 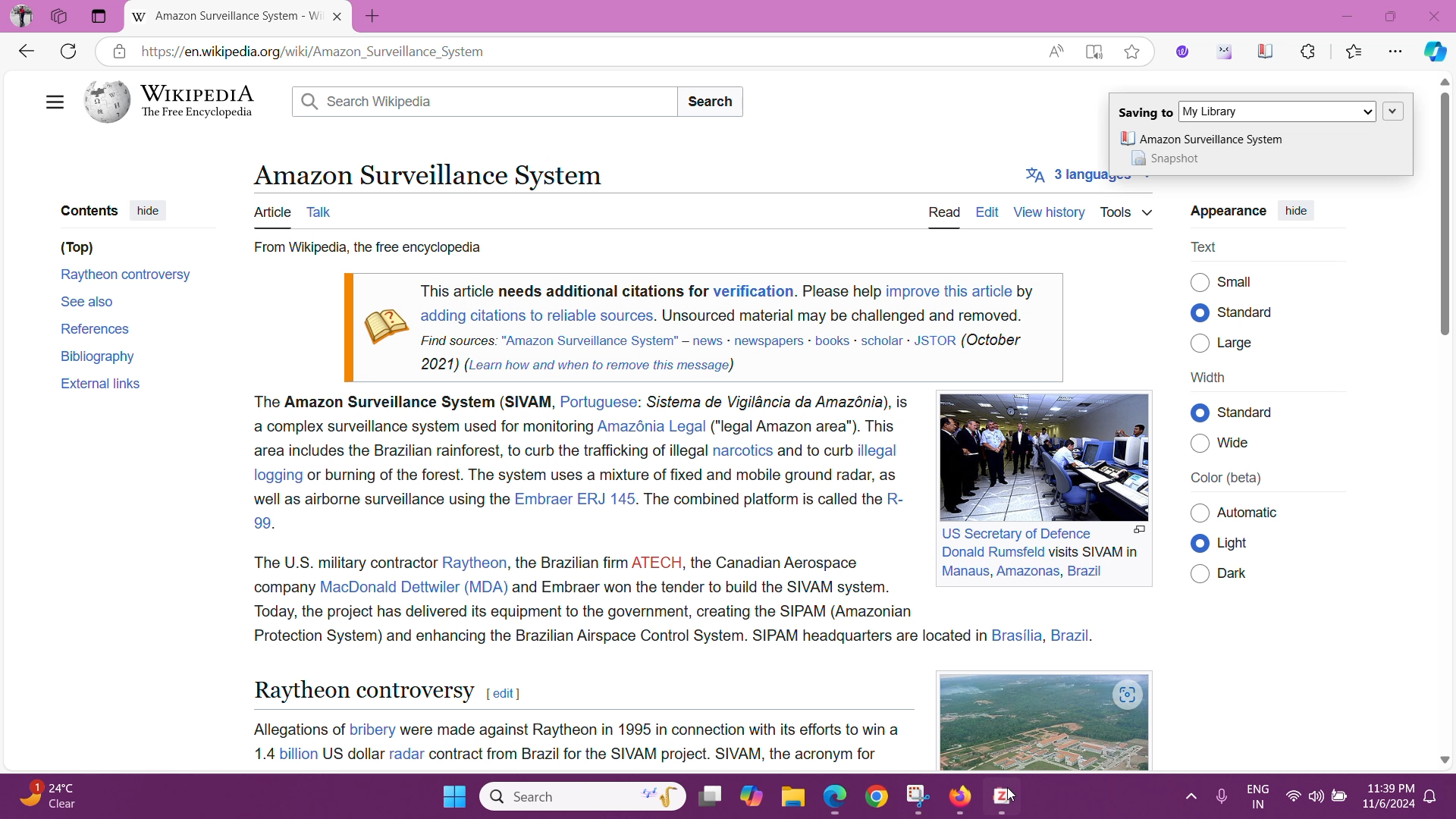 What do you see at coordinates (100, 355) in the screenshot?
I see `Bibliography` at bounding box center [100, 355].